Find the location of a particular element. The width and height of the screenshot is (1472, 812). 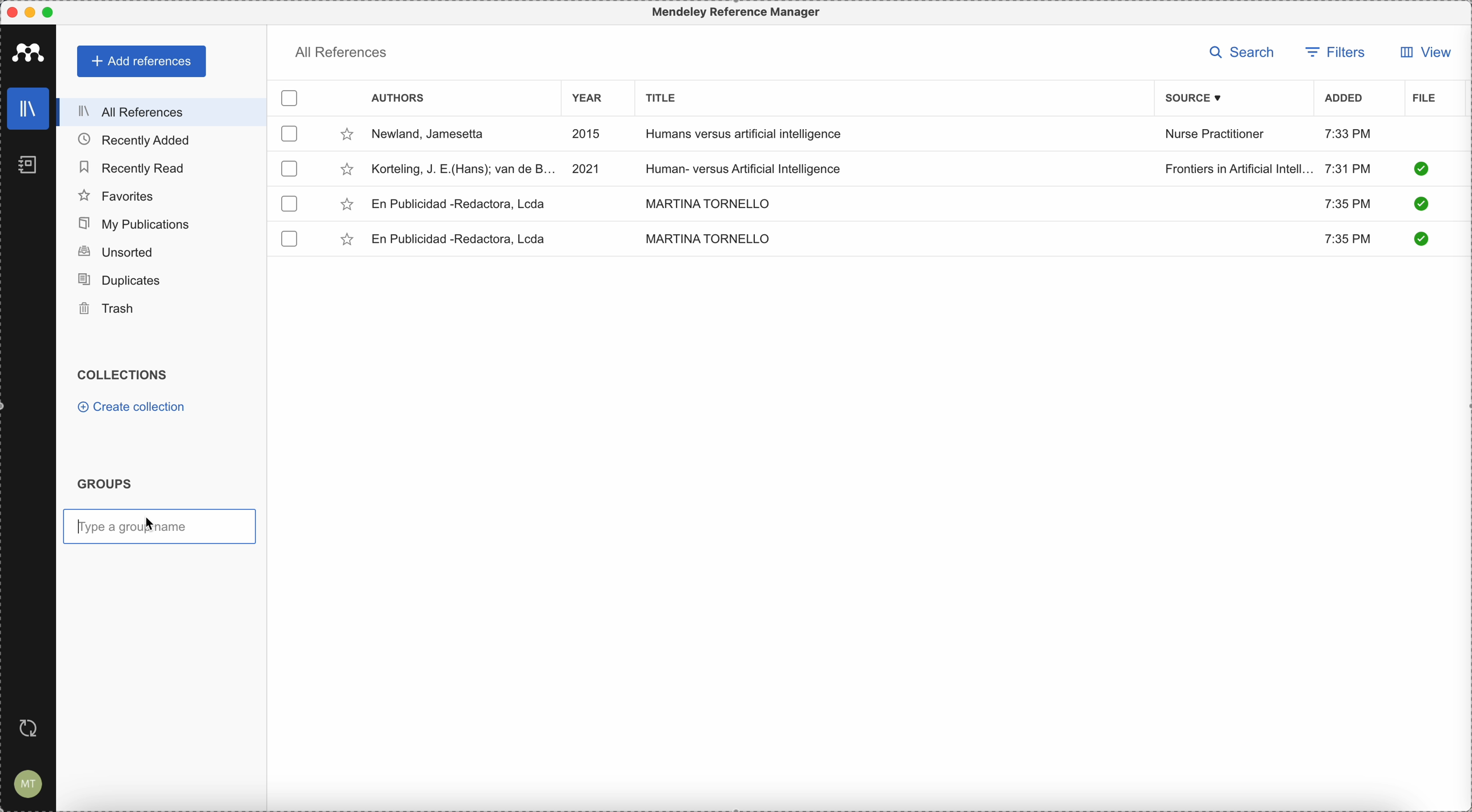

check it is located at coordinates (1419, 238).